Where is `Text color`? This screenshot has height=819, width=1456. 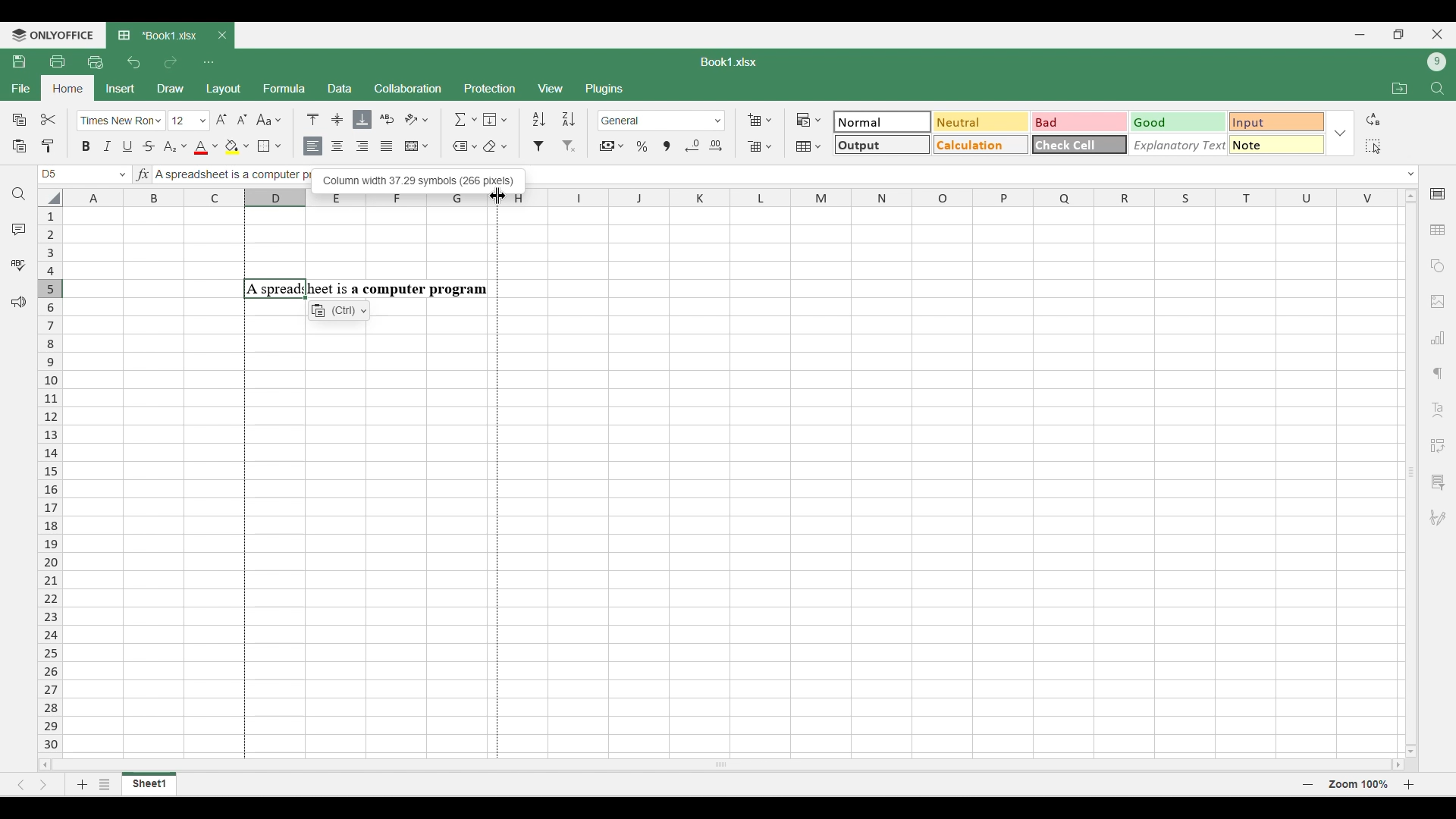
Text color is located at coordinates (206, 148).